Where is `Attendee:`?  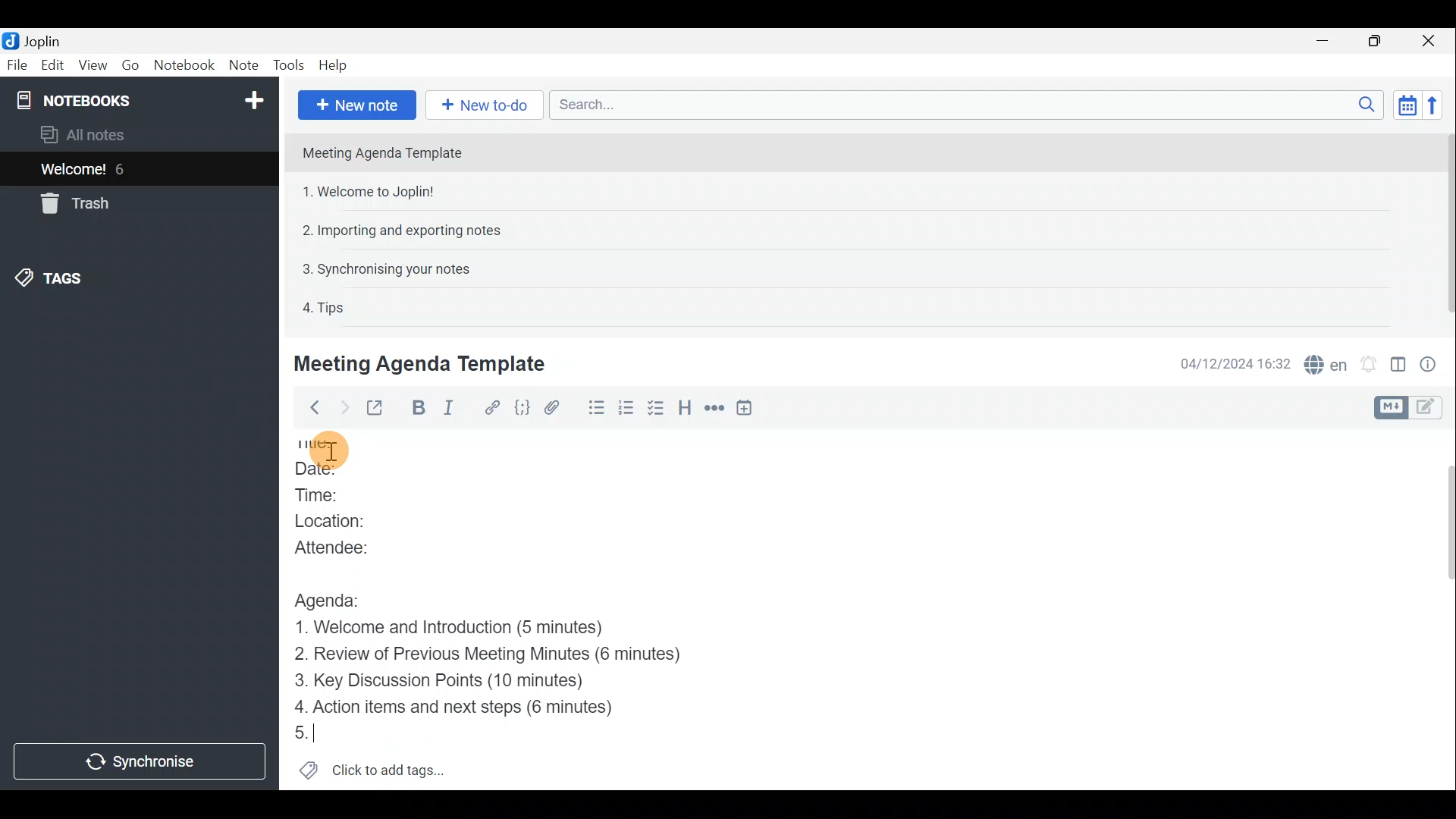 Attendee: is located at coordinates (350, 546).